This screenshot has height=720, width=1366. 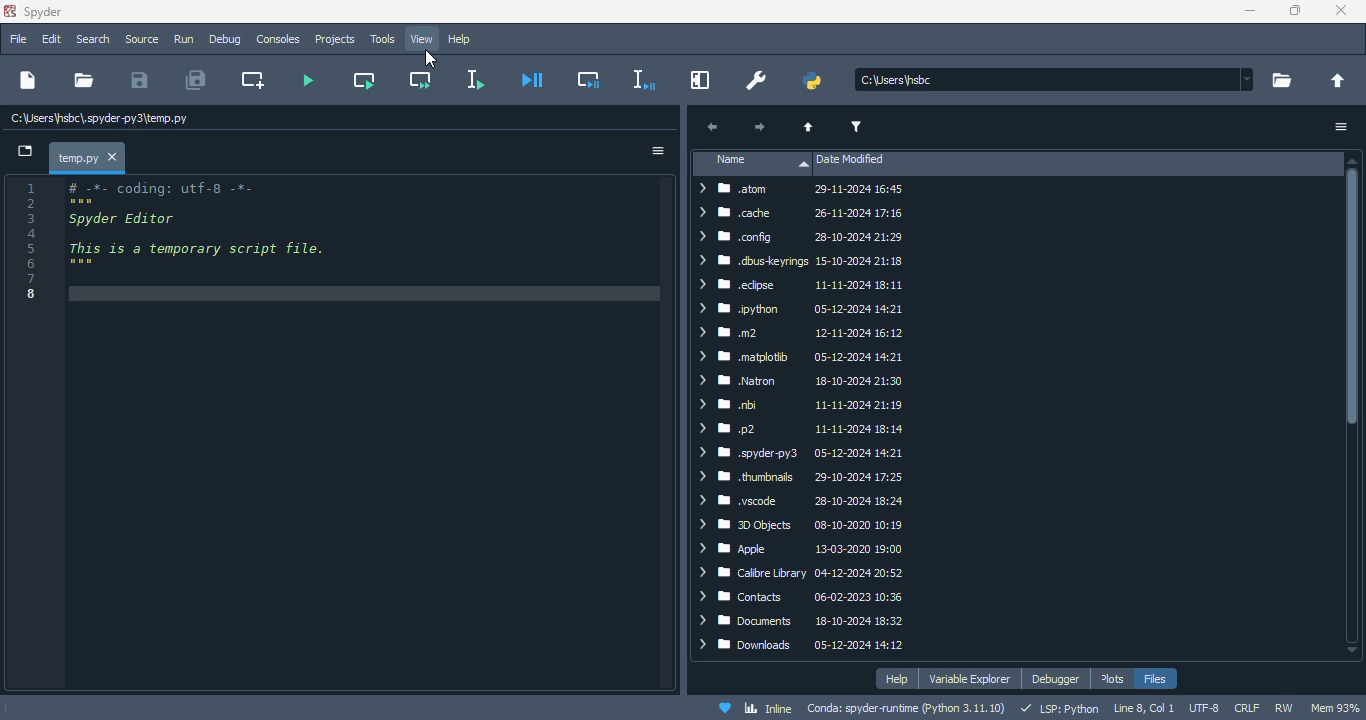 What do you see at coordinates (812, 572) in the screenshot?
I see `Calibre Library` at bounding box center [812, 572].